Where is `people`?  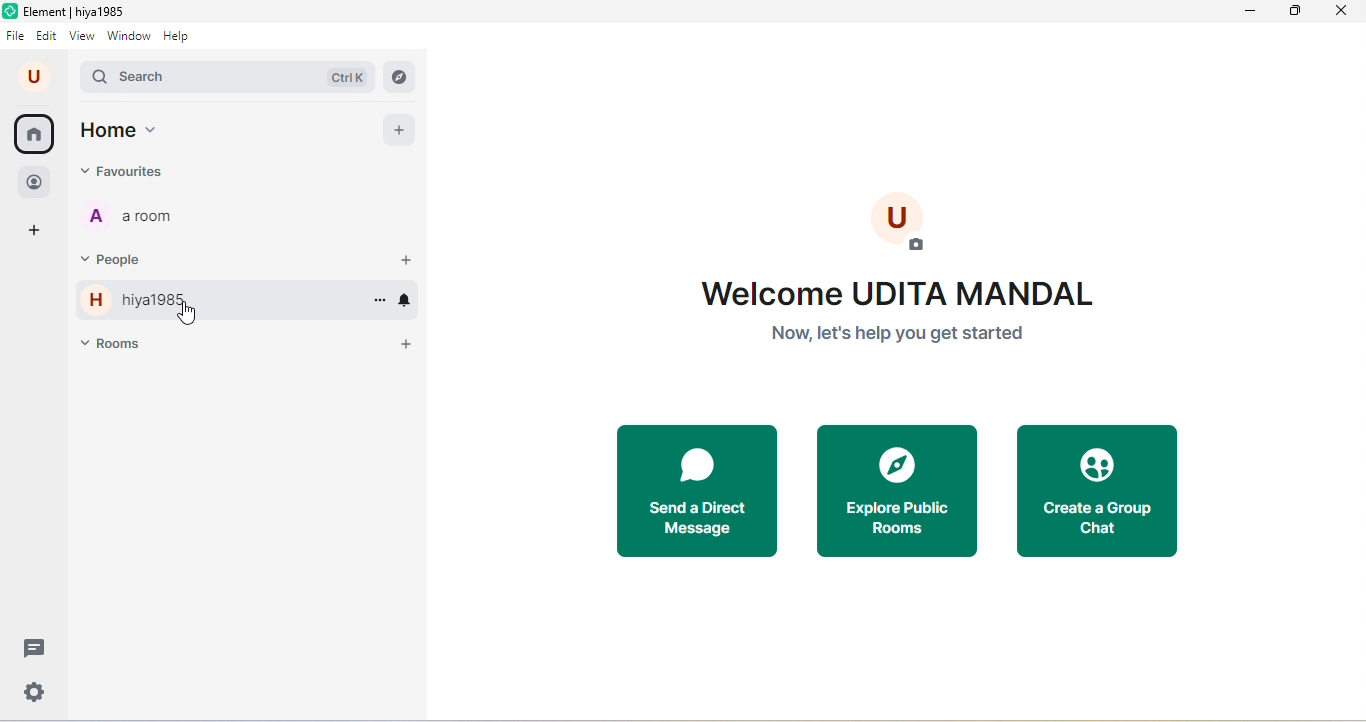 people is located at coordinates (35, 178).